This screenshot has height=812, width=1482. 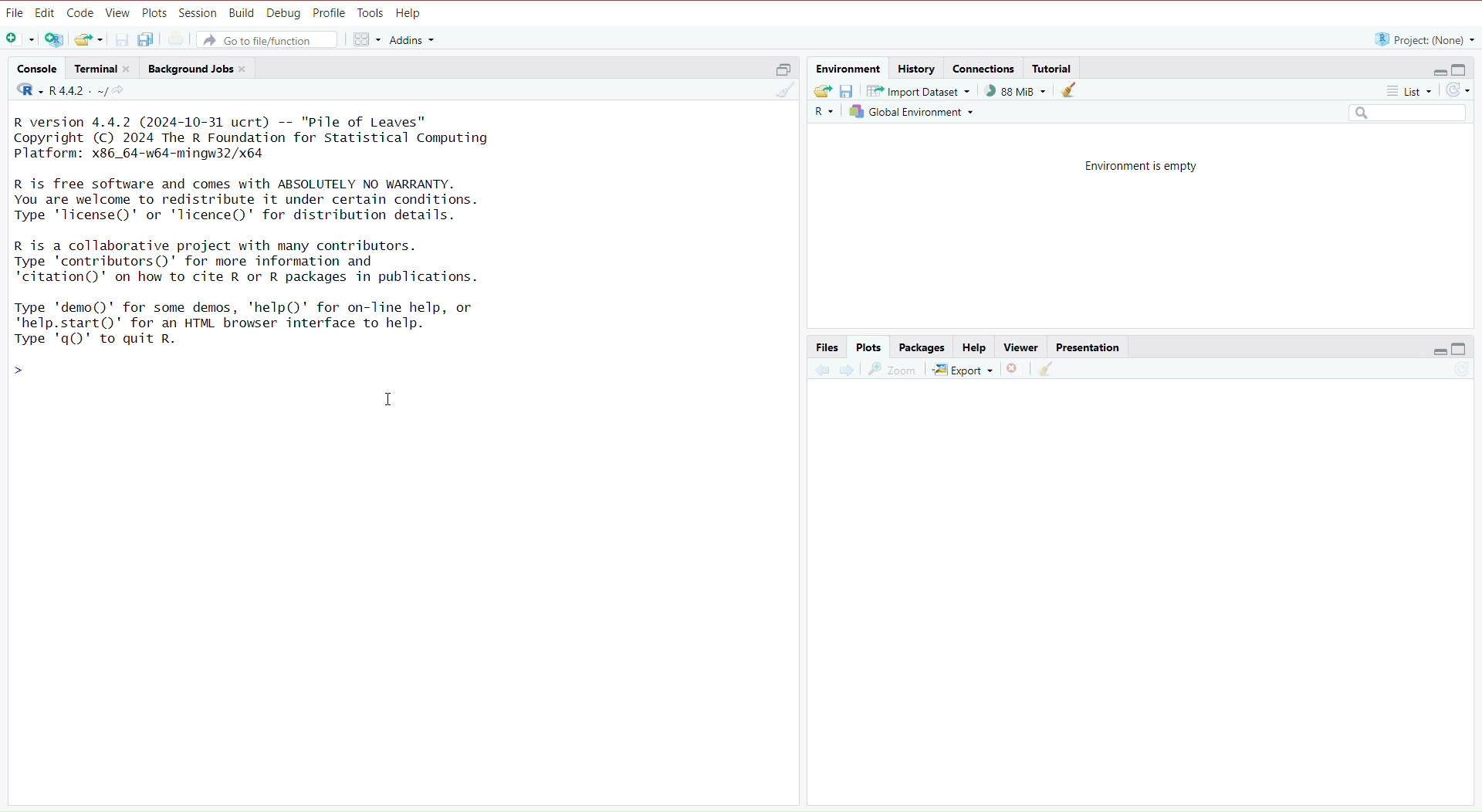 I want to click on save workspace as, so click(x=851, y=92).